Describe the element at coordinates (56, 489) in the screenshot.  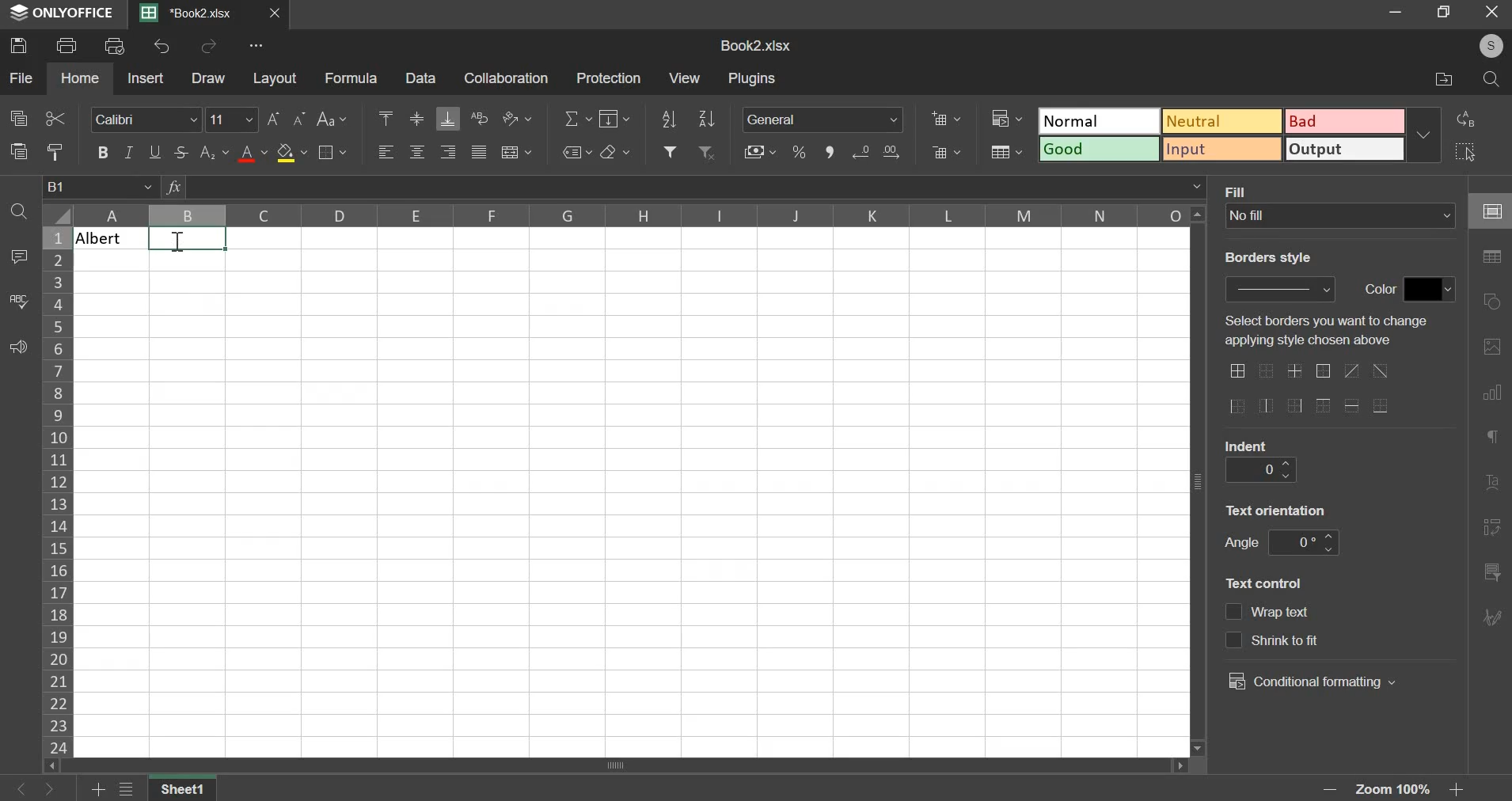
I see `rows` at that location.